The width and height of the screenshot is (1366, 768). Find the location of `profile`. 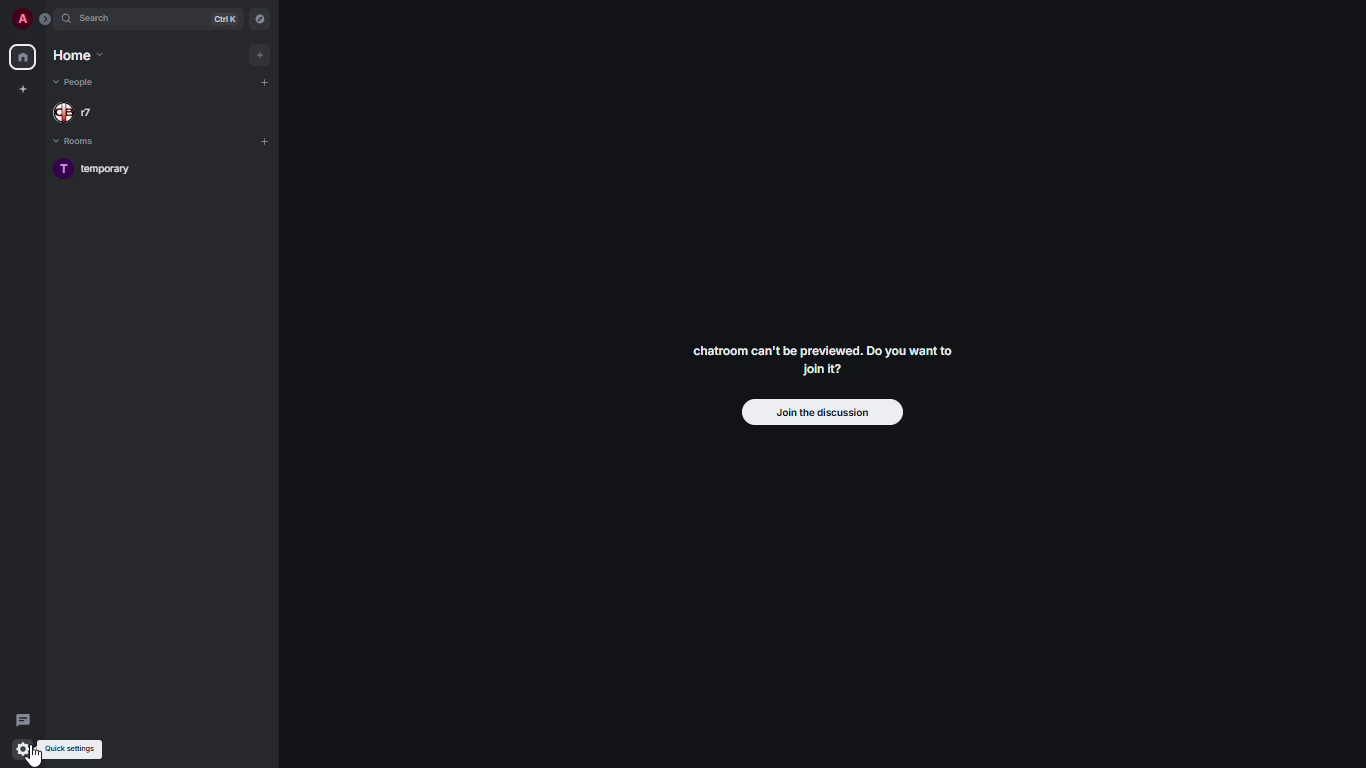

profile is located at coordinates (21, 20).